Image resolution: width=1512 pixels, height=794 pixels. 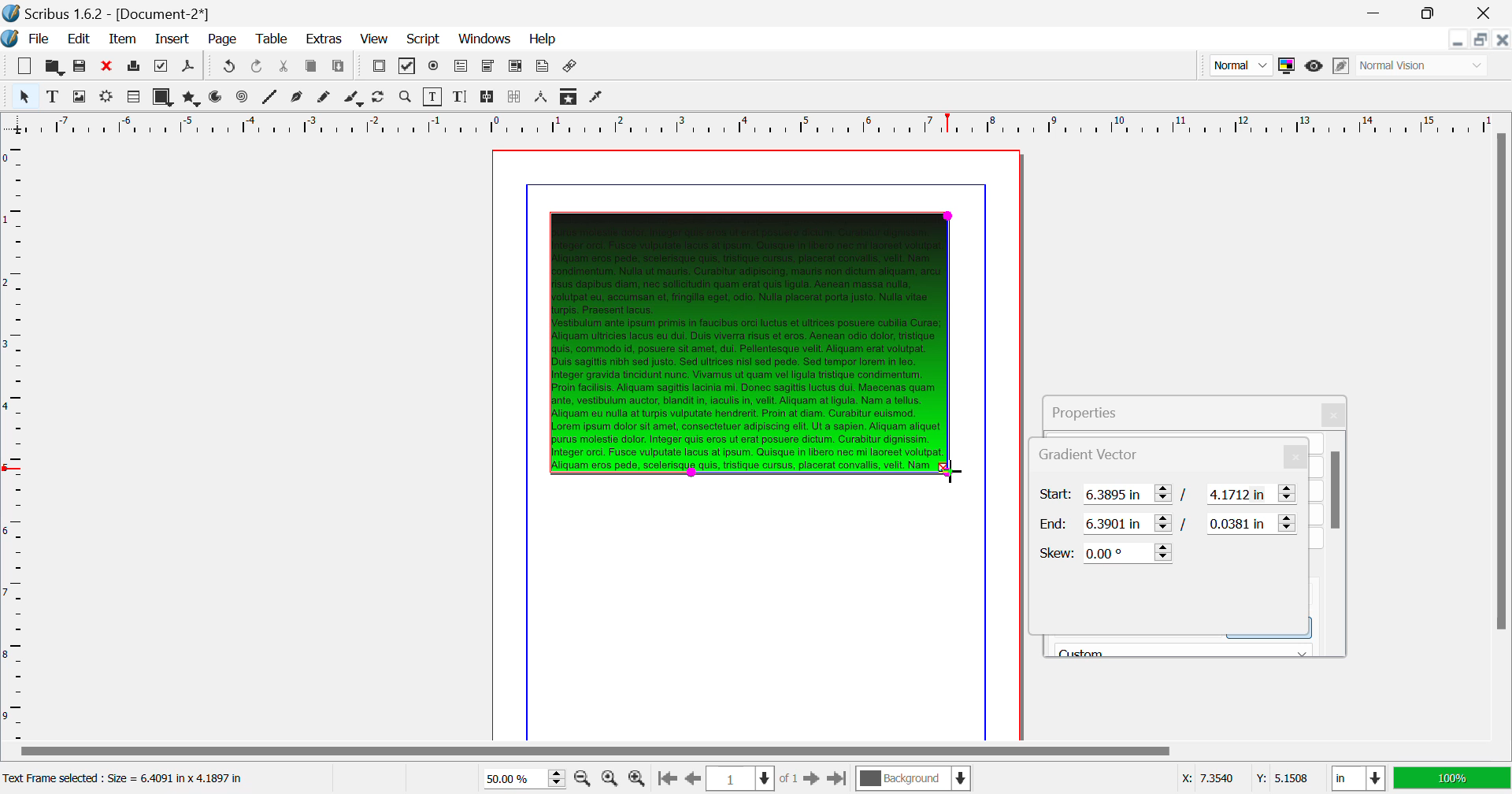 I want to click on Close, so click(x=1503, y=39).